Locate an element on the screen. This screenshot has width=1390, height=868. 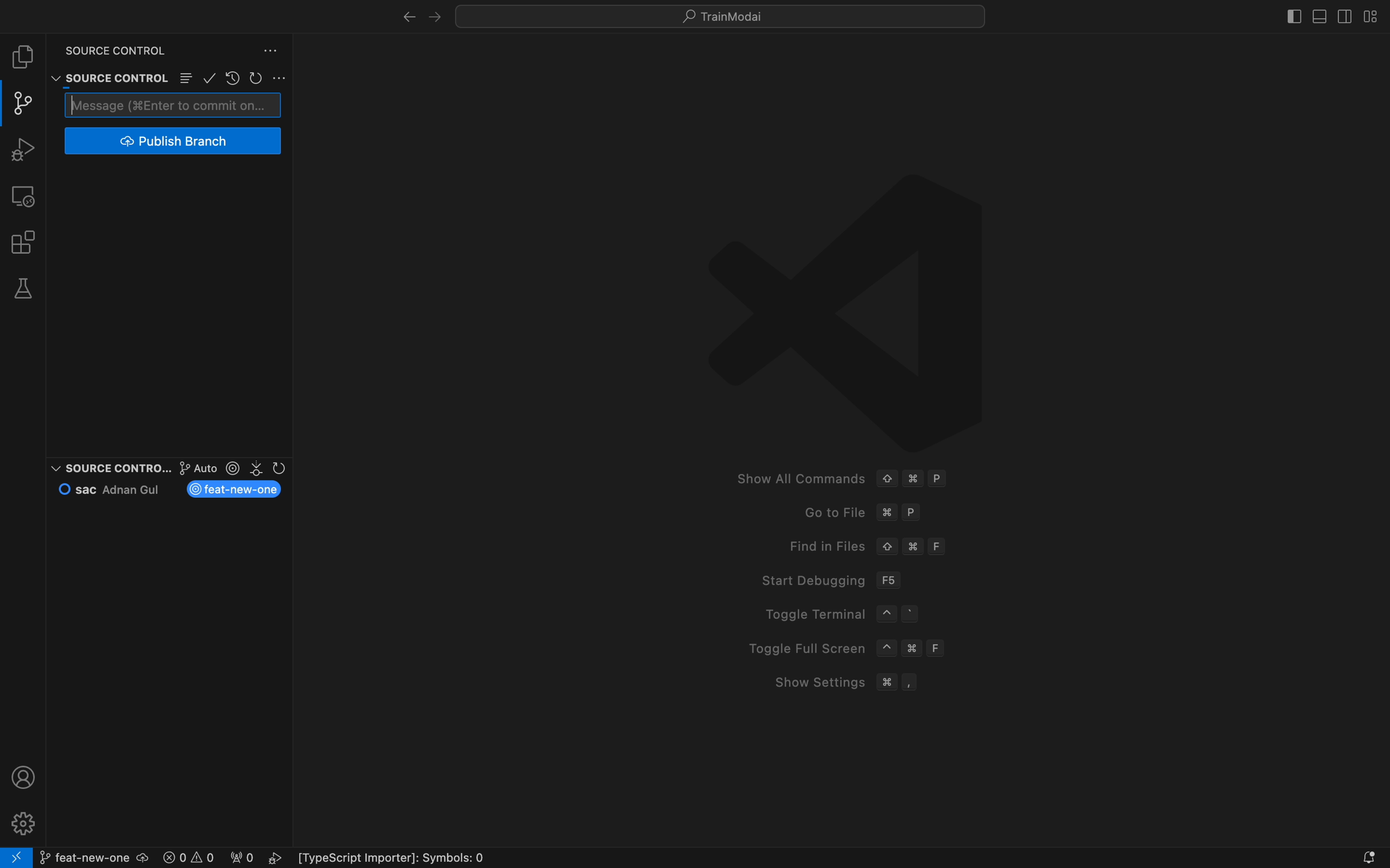
 is located at coordinates (271, 49).